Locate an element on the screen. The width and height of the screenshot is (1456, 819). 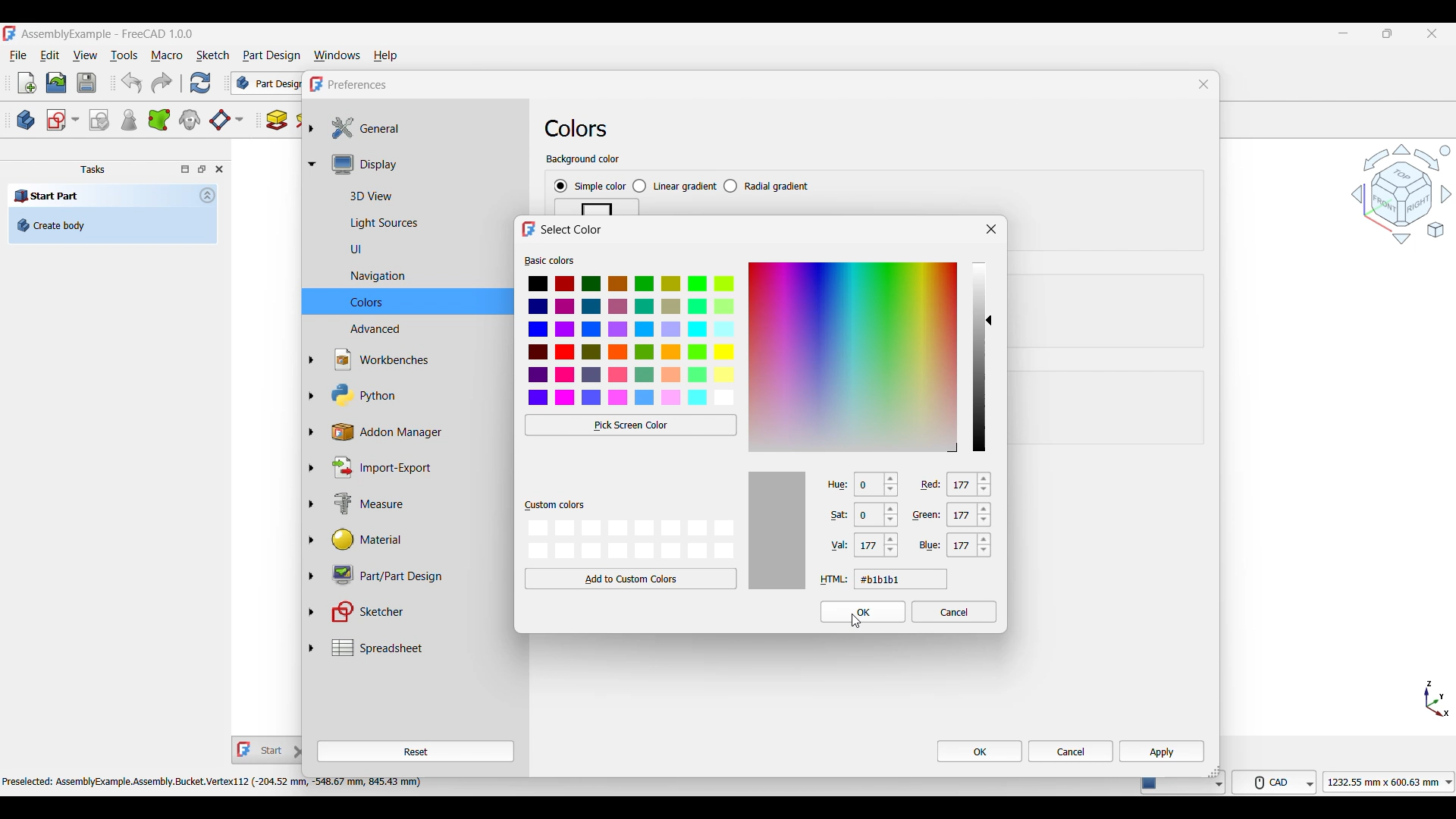
Close interface is located at coordinates (1432, 34).